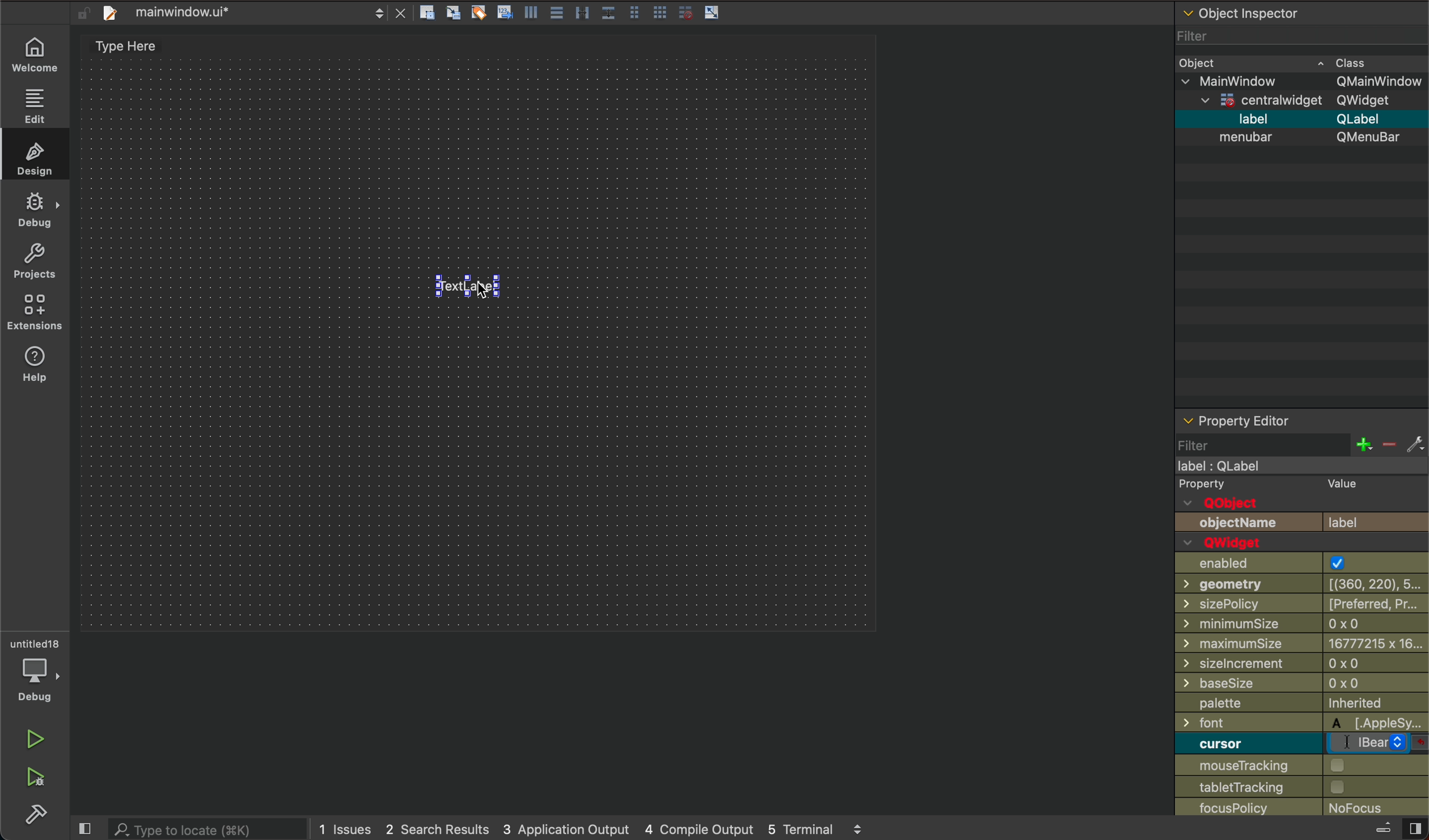 Image resolution: width=1429 pixels, height=840 pixels. Describe the element at coordinates (1390, 443) in the screenshot. I see `decrease` at that location.